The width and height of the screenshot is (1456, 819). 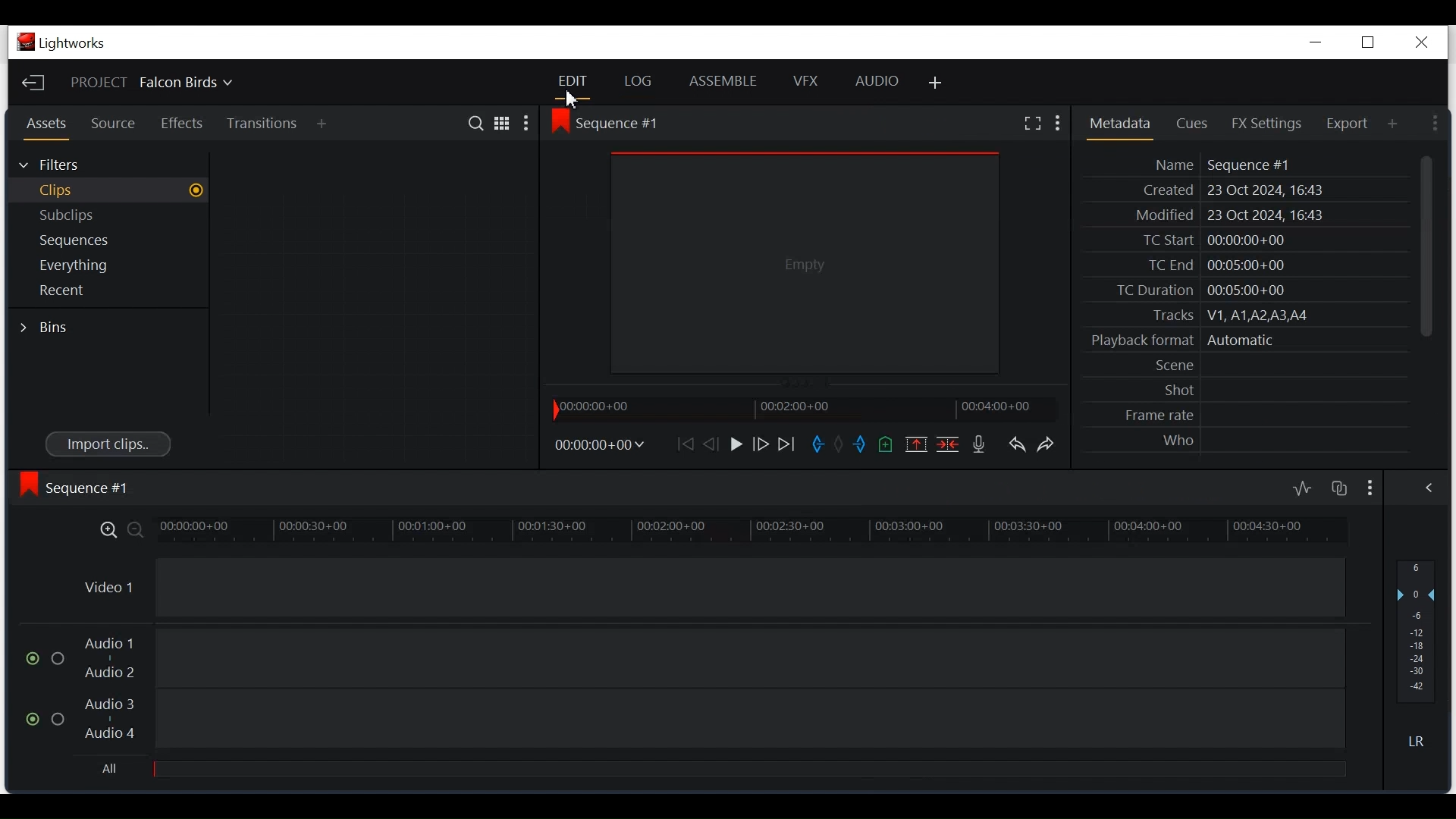 What do you see at coordinates (1228, 291) in the screenshot?
I see `` at bounding box center [1228, 291].